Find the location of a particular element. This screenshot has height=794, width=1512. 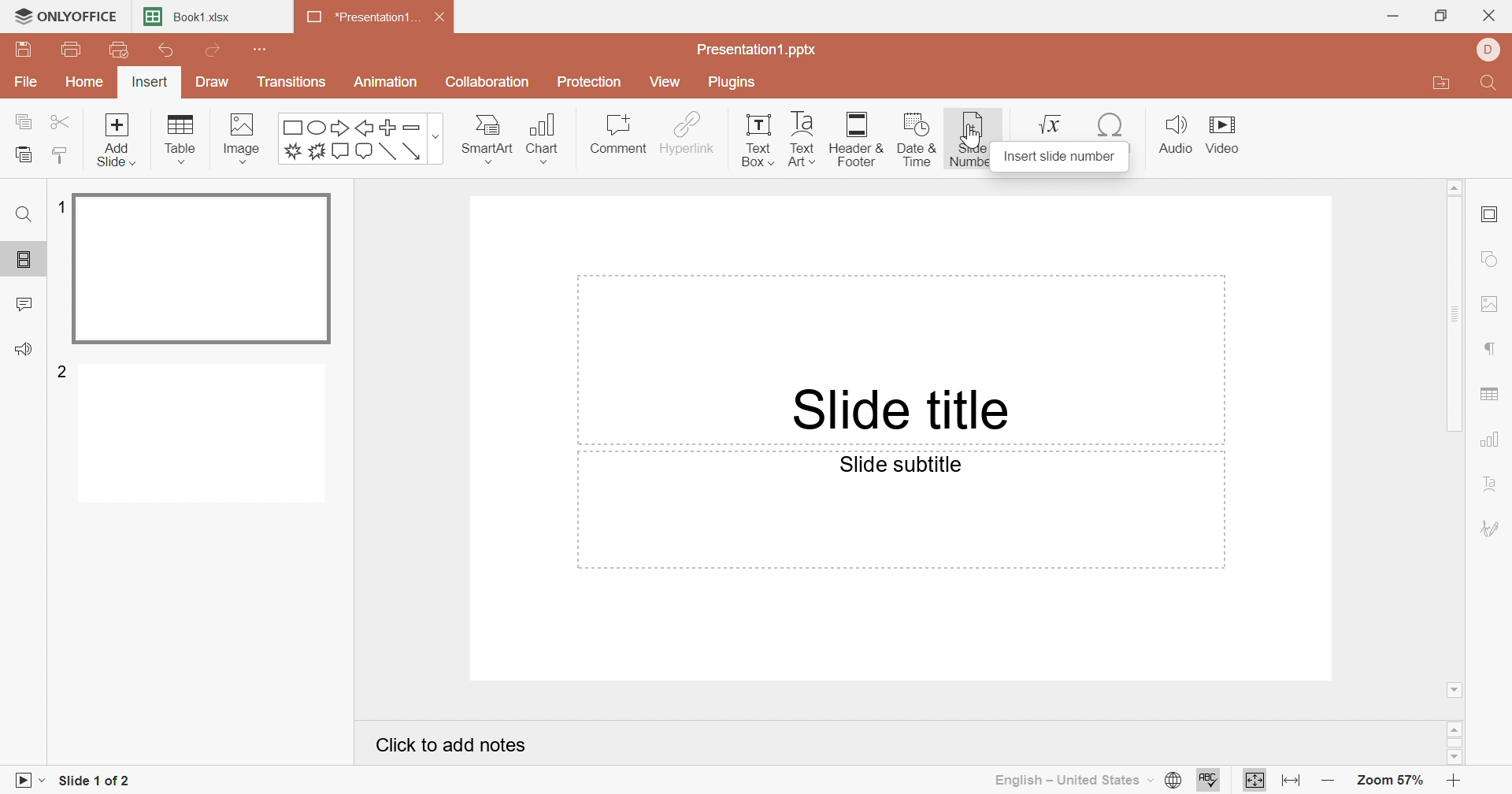

Add Slide is located at coordinates (117, 139).